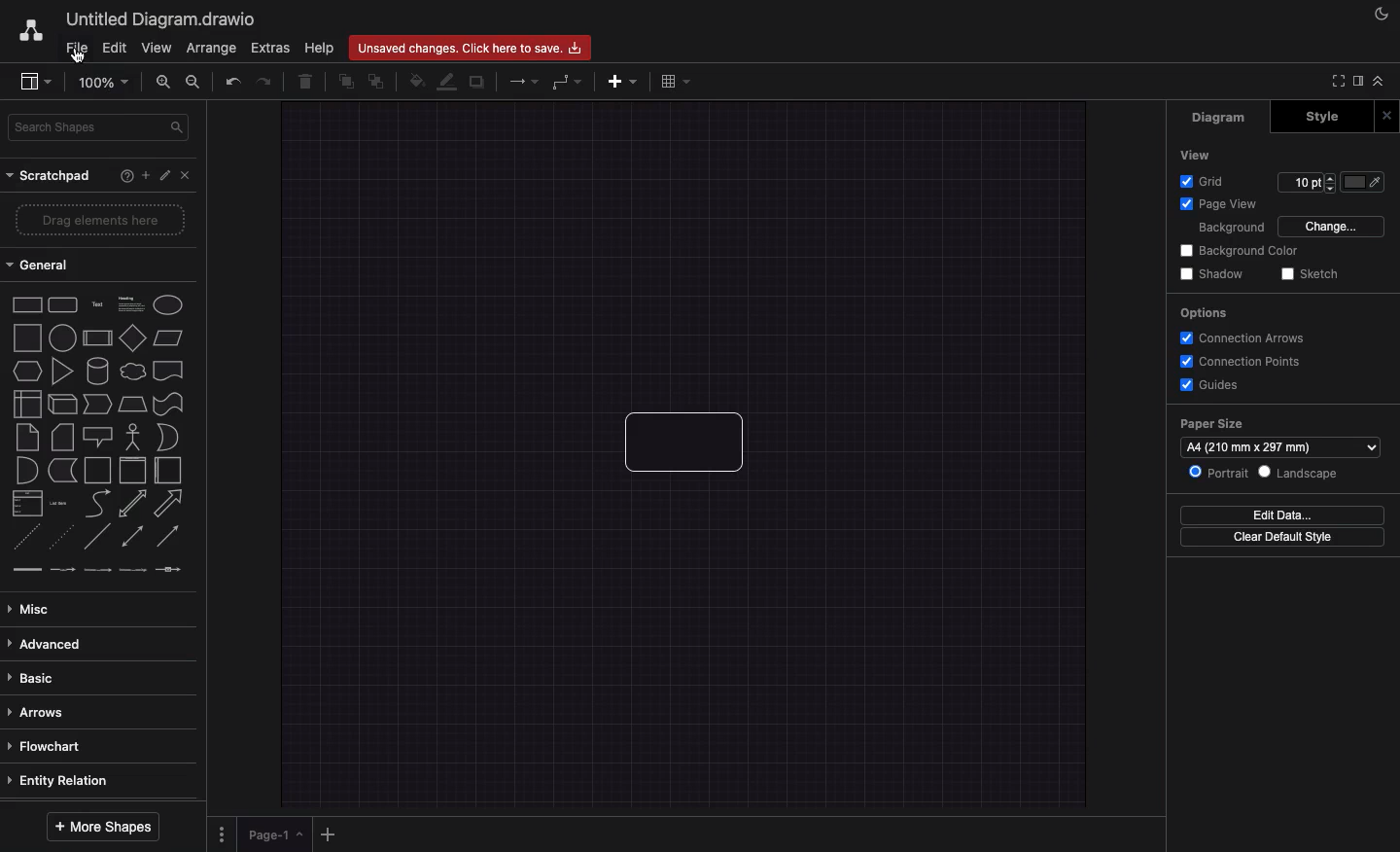 The width and height of the screenshot is (1400, 852). Describe the element at coordinates (1331, 225) in the screenshot. I see `Change` at that location.